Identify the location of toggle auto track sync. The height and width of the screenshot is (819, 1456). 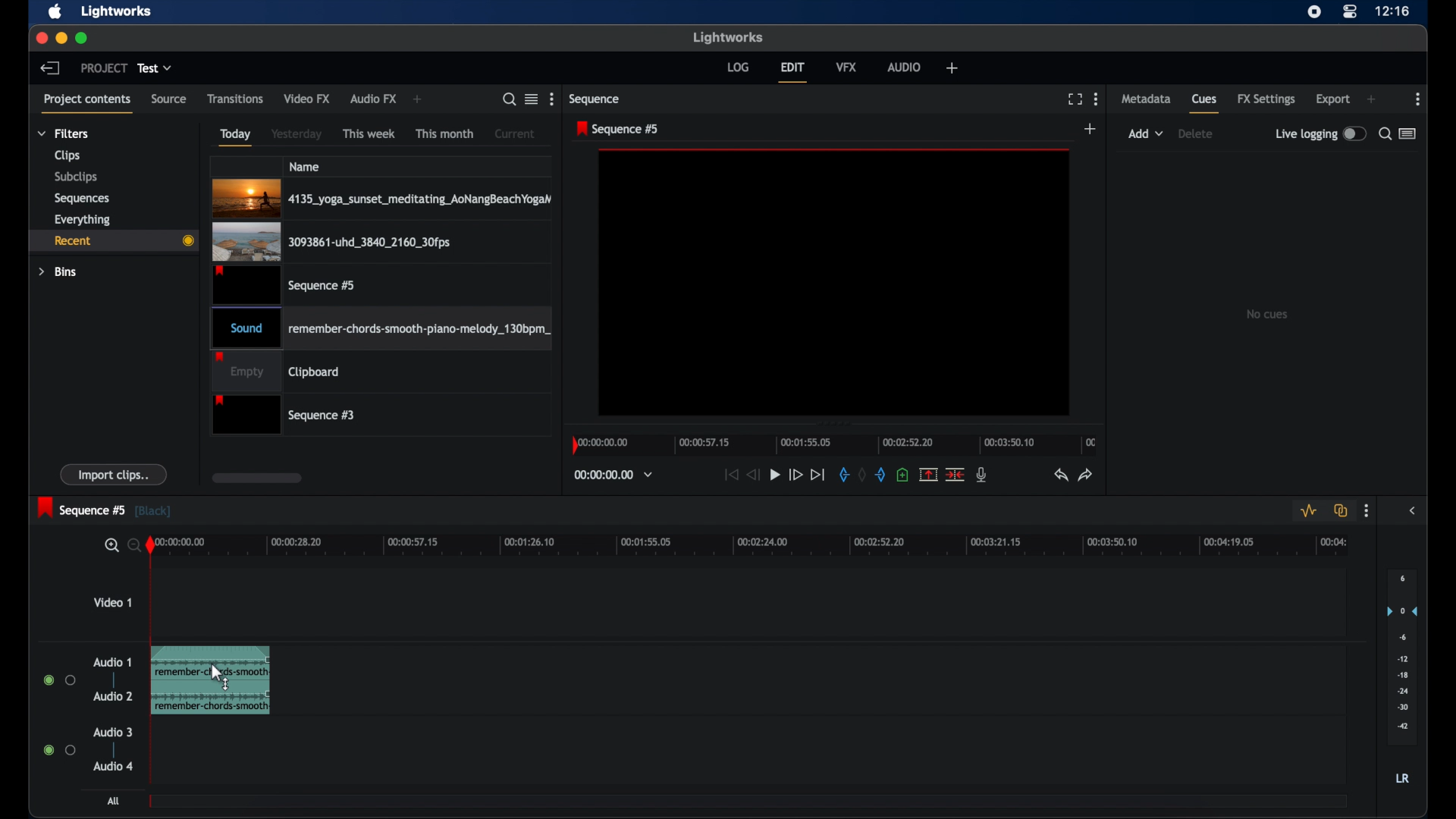
(1341, 510).